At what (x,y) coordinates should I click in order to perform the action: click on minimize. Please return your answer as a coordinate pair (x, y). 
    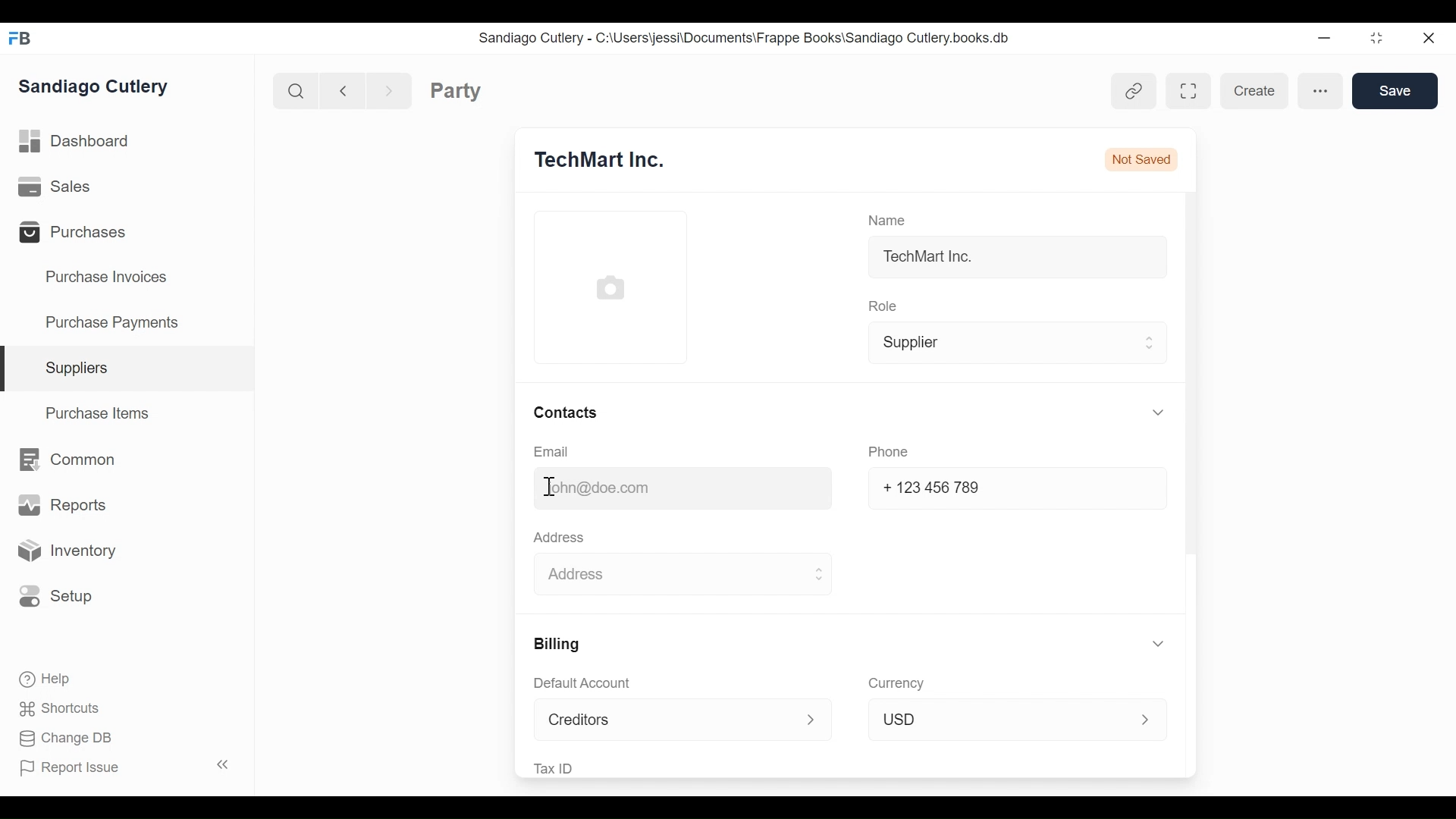
    Looking at the image, I should click on (1326, 39).